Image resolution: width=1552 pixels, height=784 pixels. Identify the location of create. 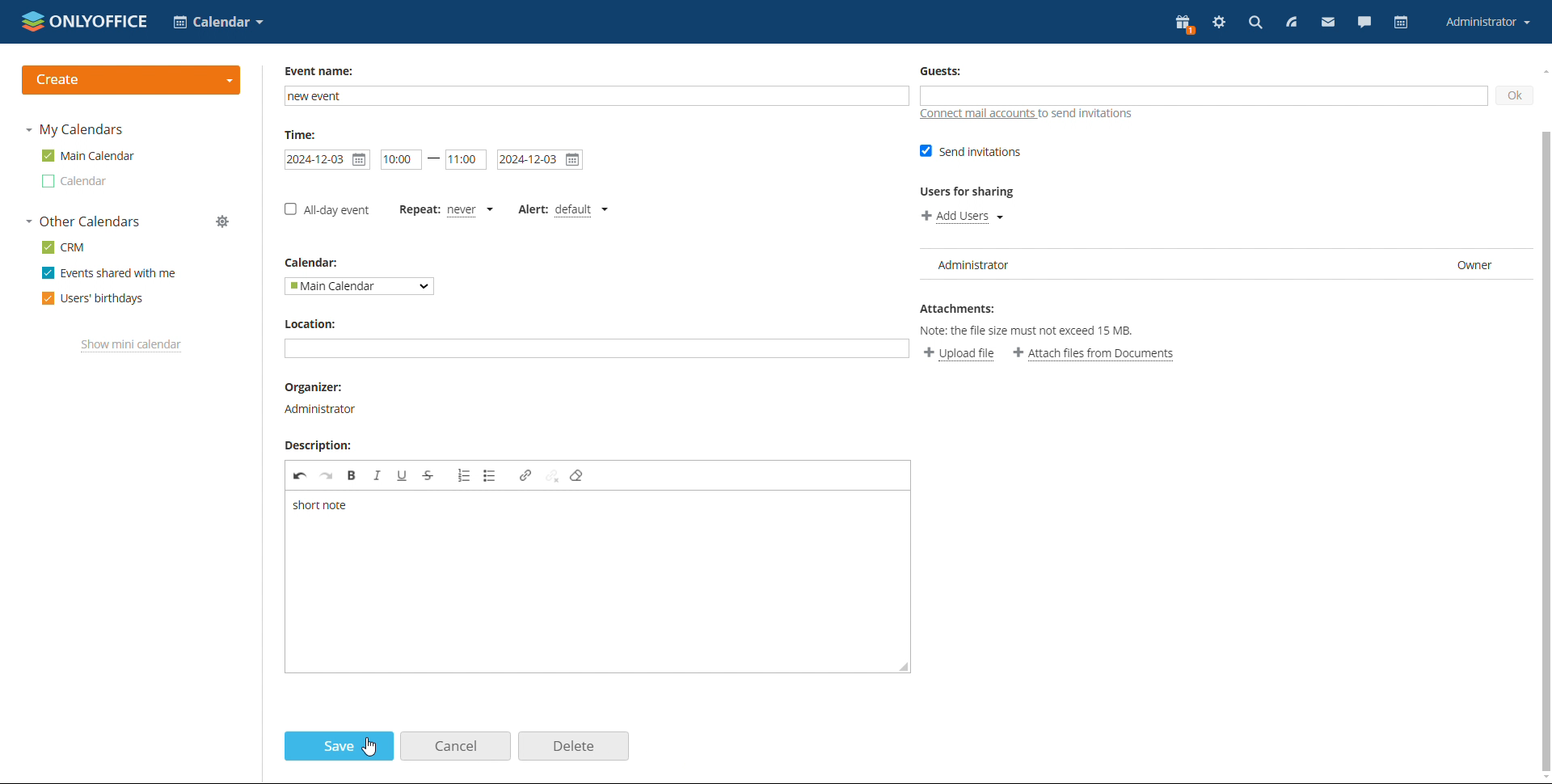
(132, 80).